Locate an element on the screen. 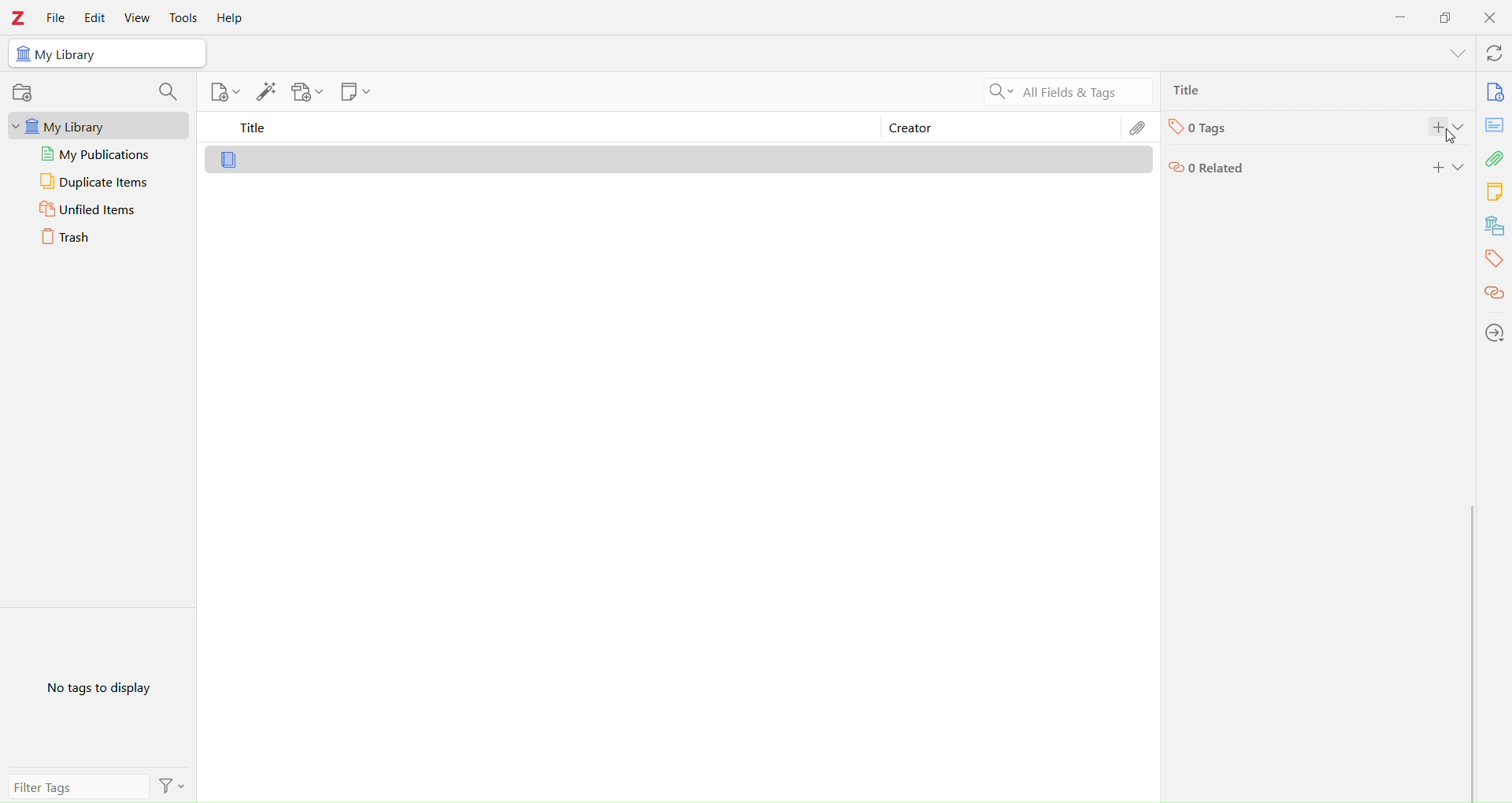  My Library is located at coordinates (98, 126).